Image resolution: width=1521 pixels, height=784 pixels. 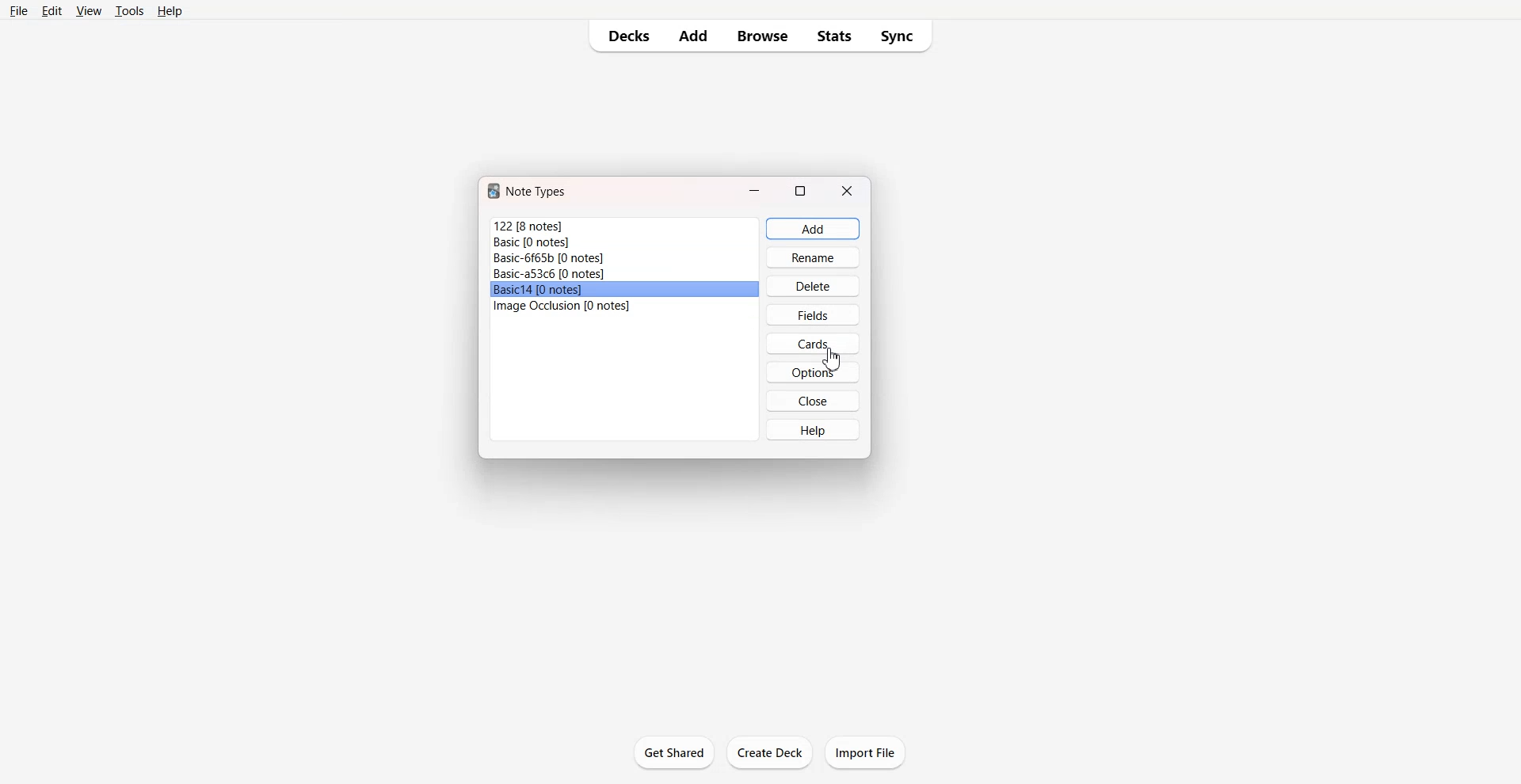 I want to click on Close, so click(x=813, y=401).